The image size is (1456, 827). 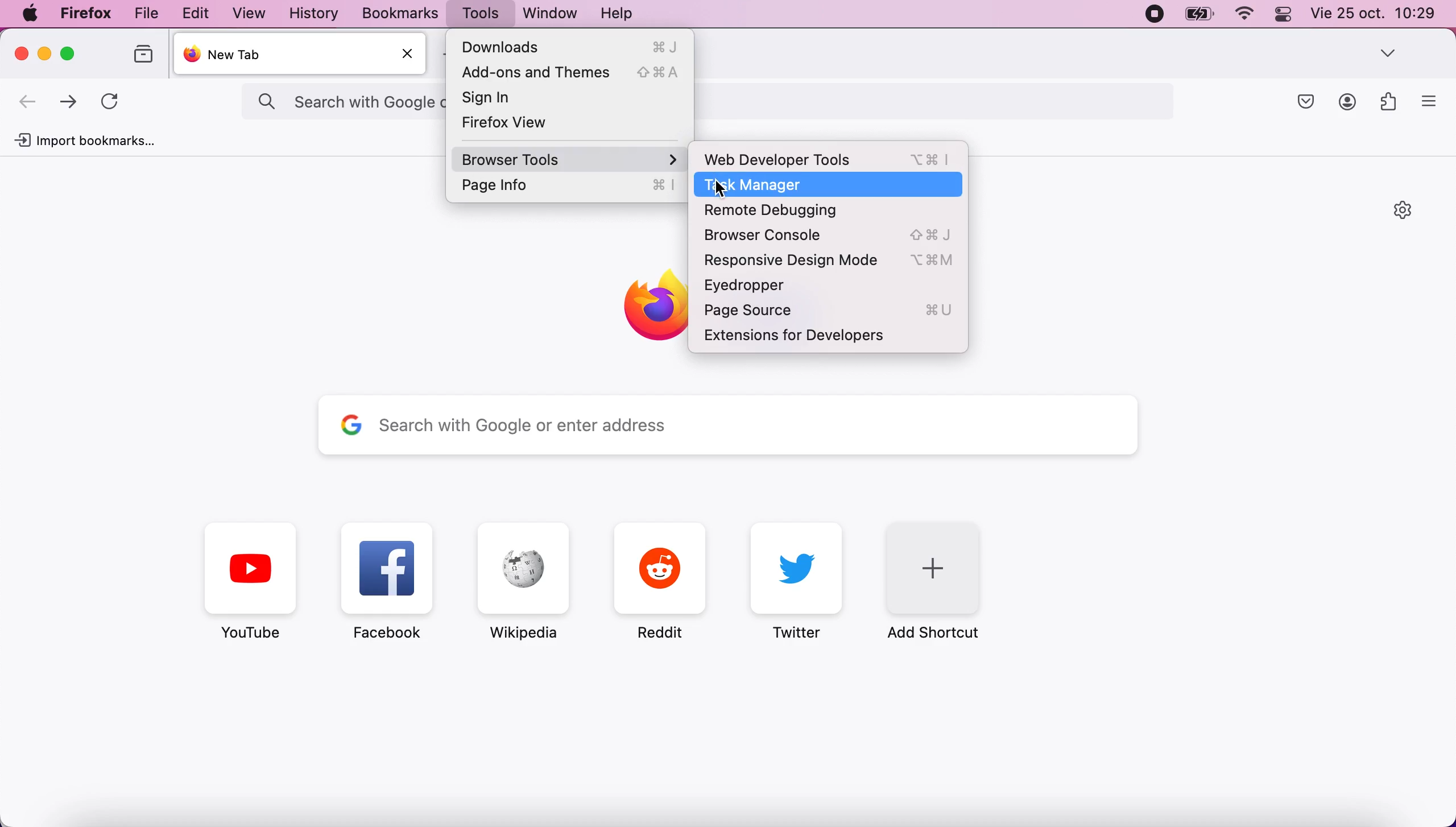 I want to click on New Tab, so click(x=303, y=53).